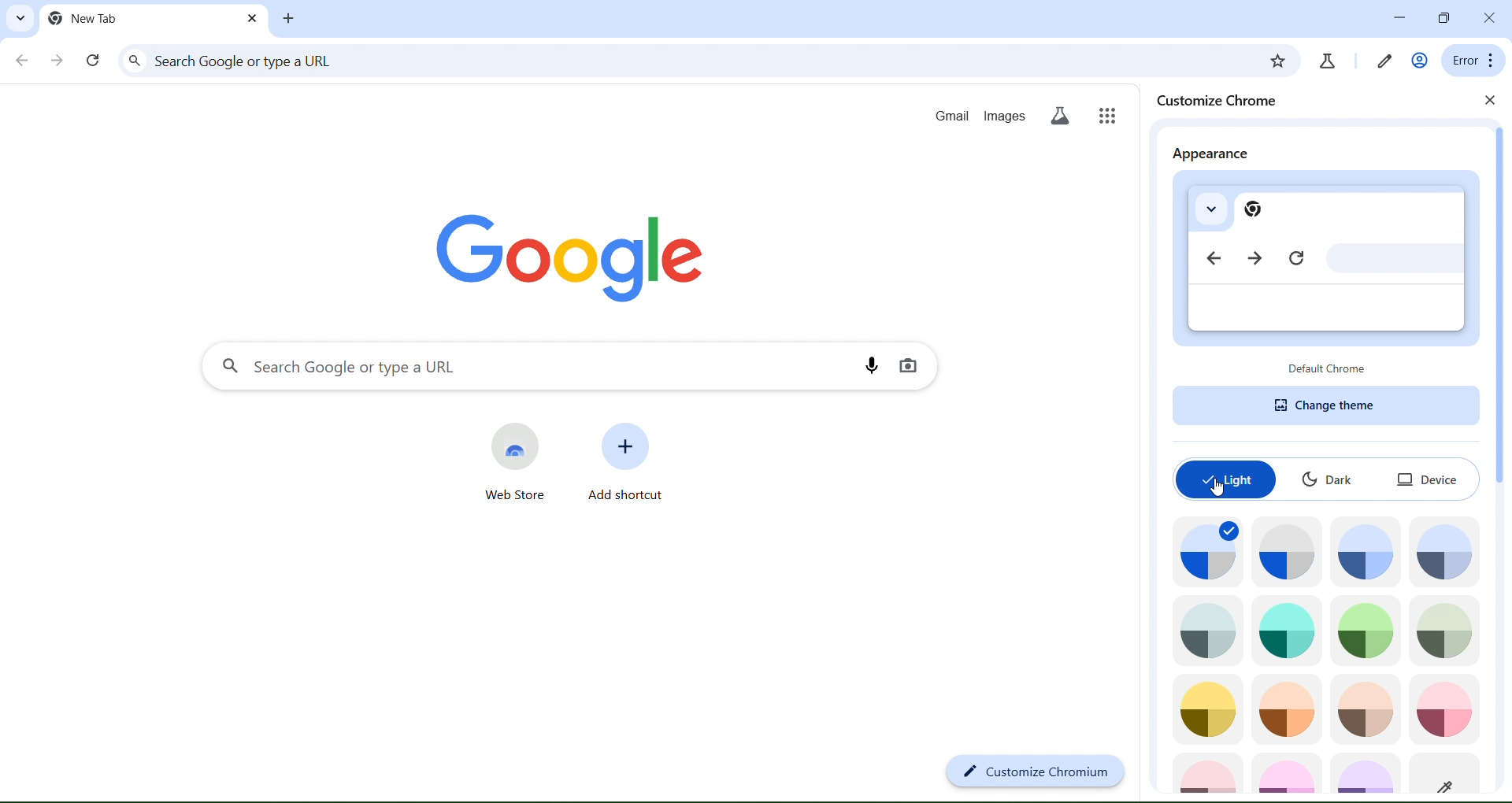  What do you see at coordinates (86, 18) in the screenshot?
I see `current tab` at bounding box center [86, 18].